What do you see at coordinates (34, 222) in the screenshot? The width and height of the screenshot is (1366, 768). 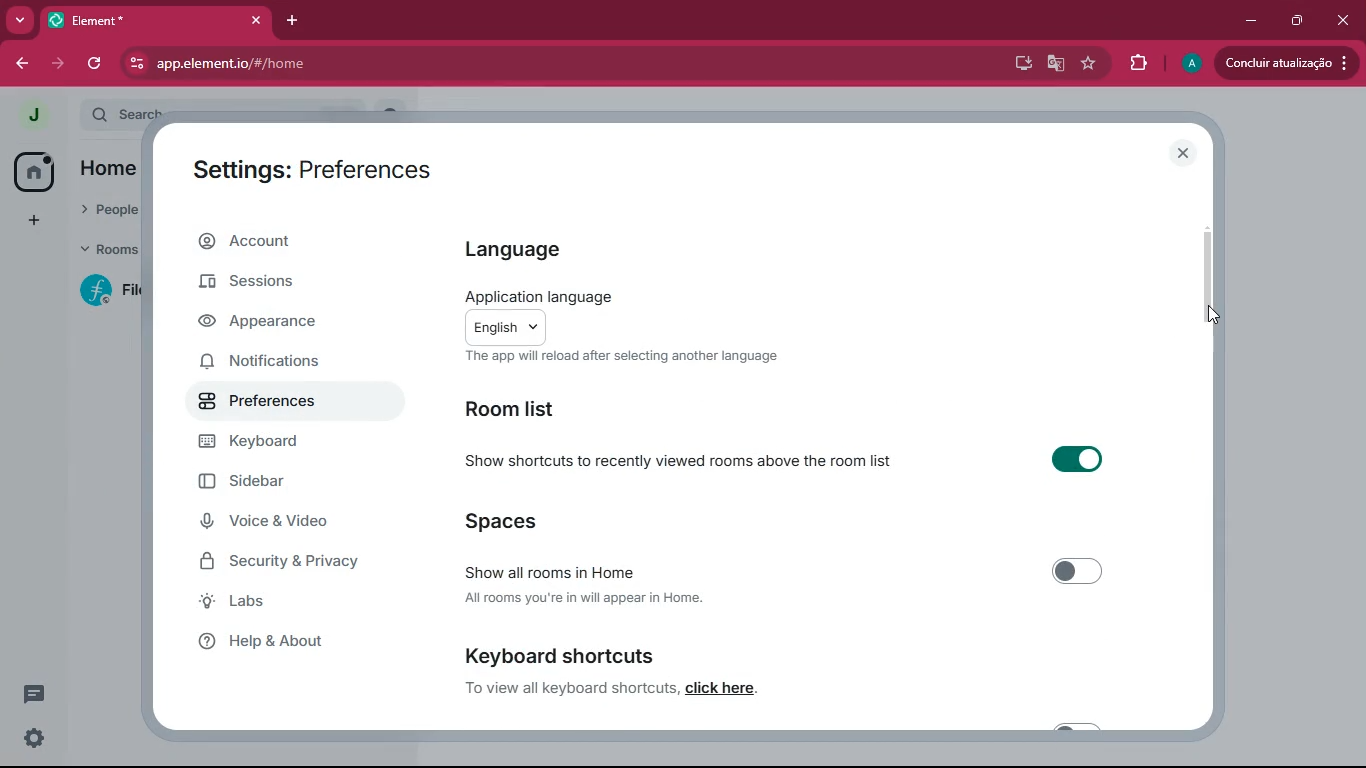 I see `more` at bounding box center [34, 222].